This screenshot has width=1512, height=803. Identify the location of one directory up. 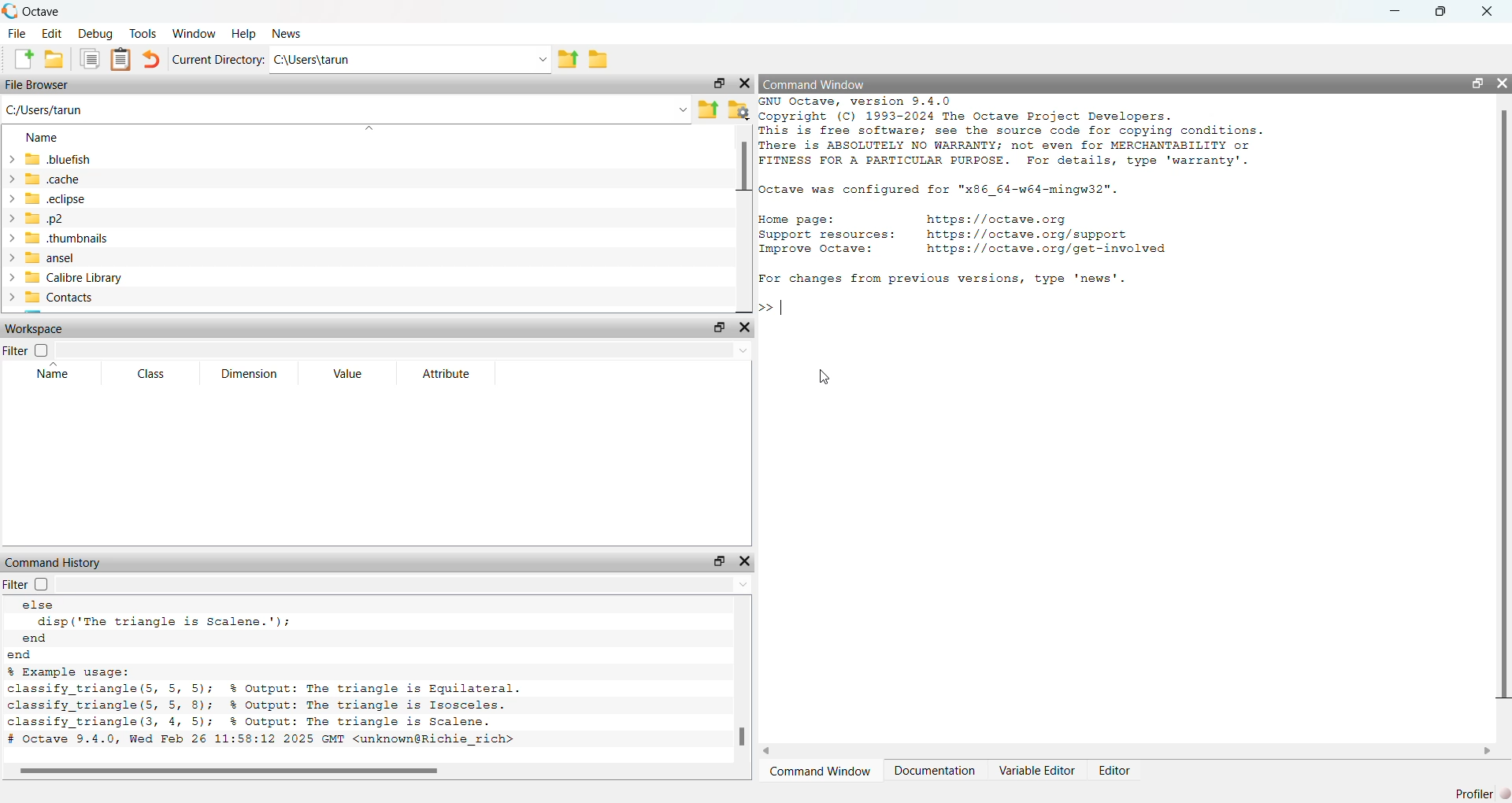
(706, 109).